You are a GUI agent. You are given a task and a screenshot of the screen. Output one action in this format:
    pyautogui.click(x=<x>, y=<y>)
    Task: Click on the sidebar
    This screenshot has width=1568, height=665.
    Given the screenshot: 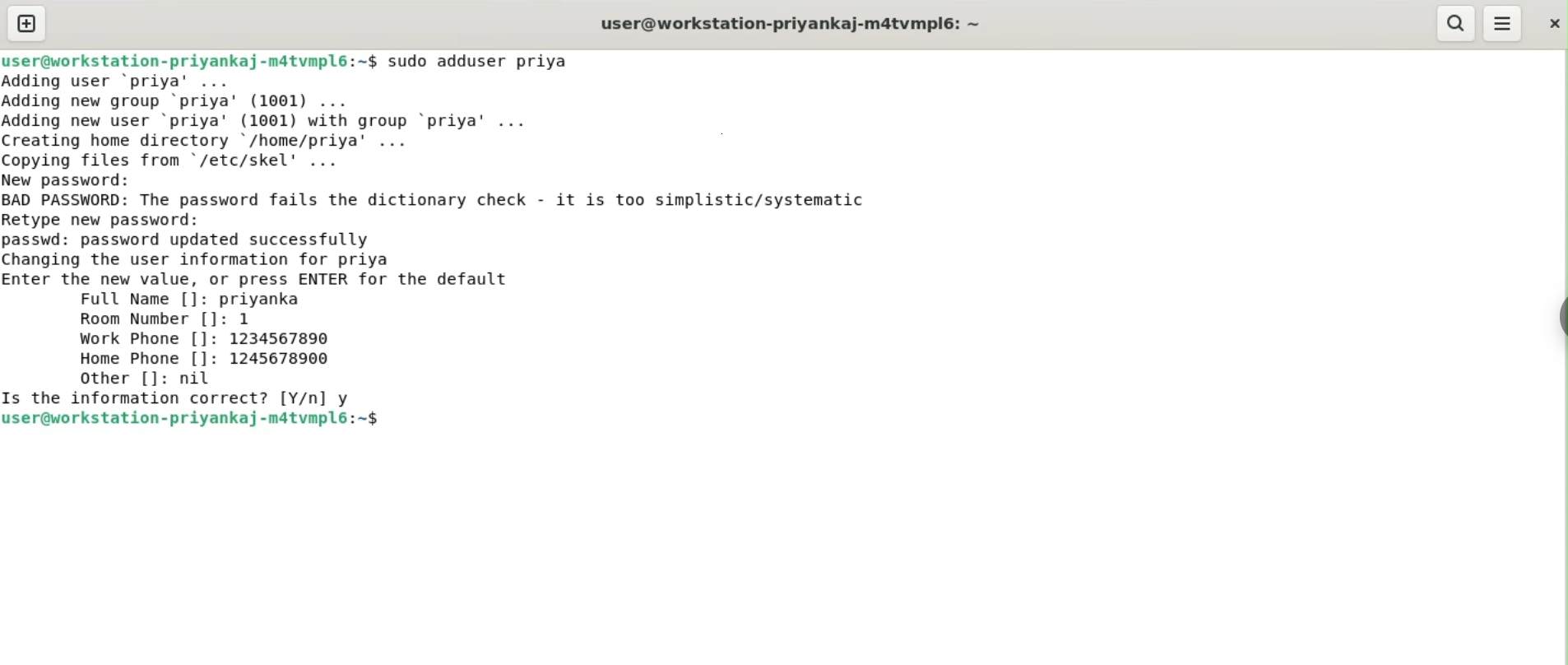 What is the action you would take?
    pyautogui.click(x=1560, y=318)
    